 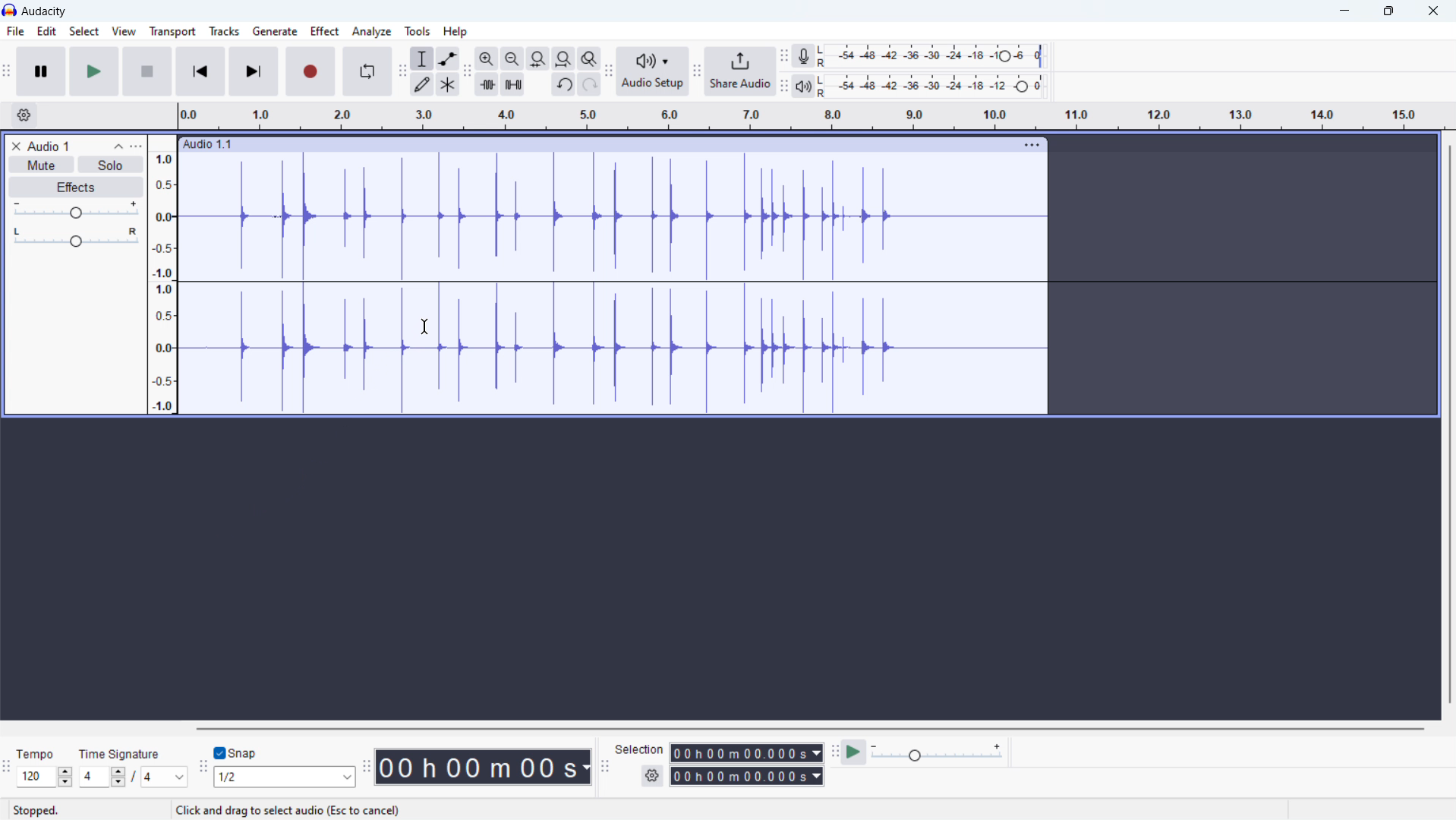 I want to click on play at speed toolbar, so click(x=834, y=752).